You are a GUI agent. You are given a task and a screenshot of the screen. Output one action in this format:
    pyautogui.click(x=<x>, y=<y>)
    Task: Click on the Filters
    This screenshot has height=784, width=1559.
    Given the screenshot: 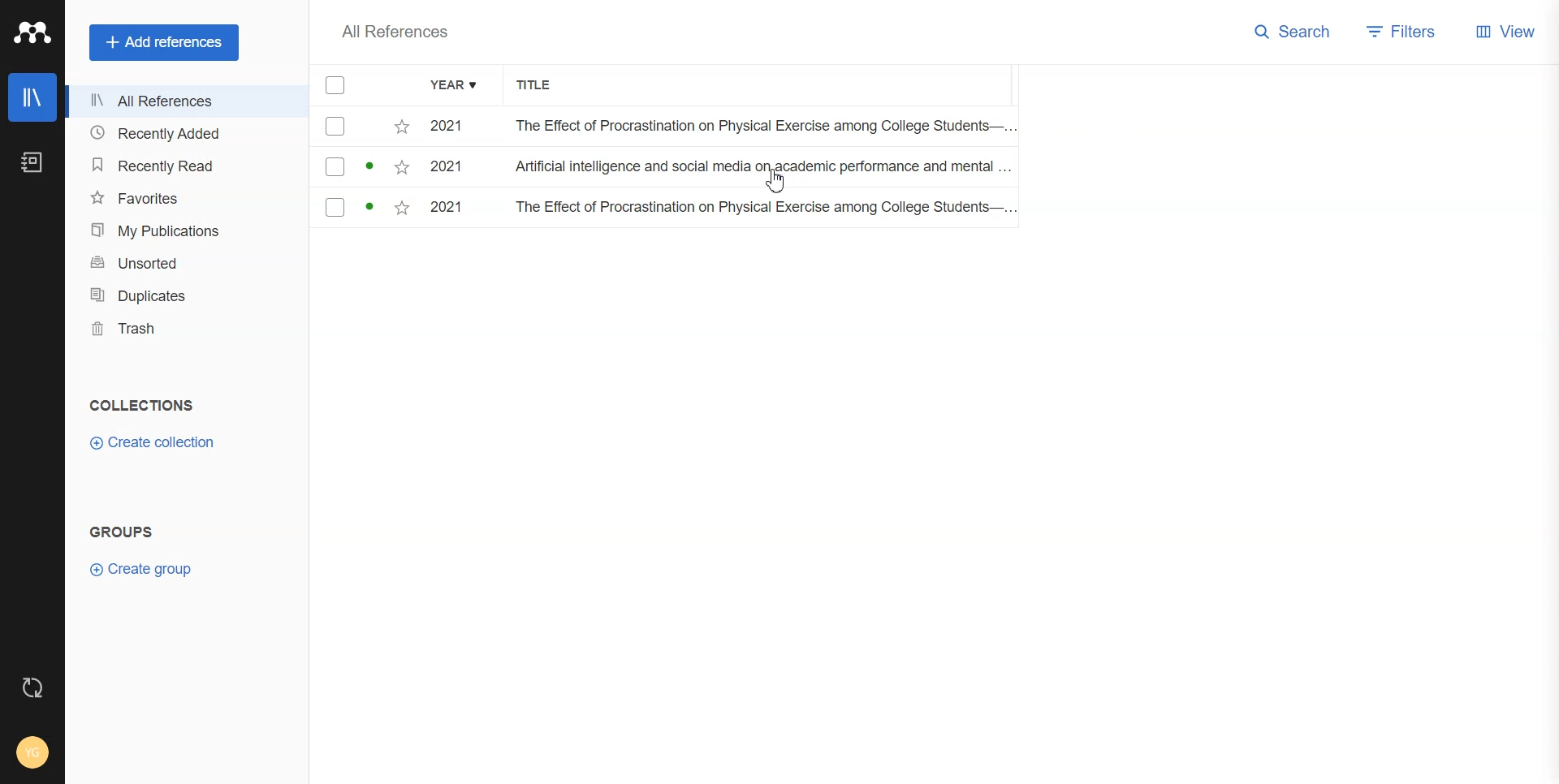 What is the action you would take?
    pyautogui.click(x=1404, y=31)
    